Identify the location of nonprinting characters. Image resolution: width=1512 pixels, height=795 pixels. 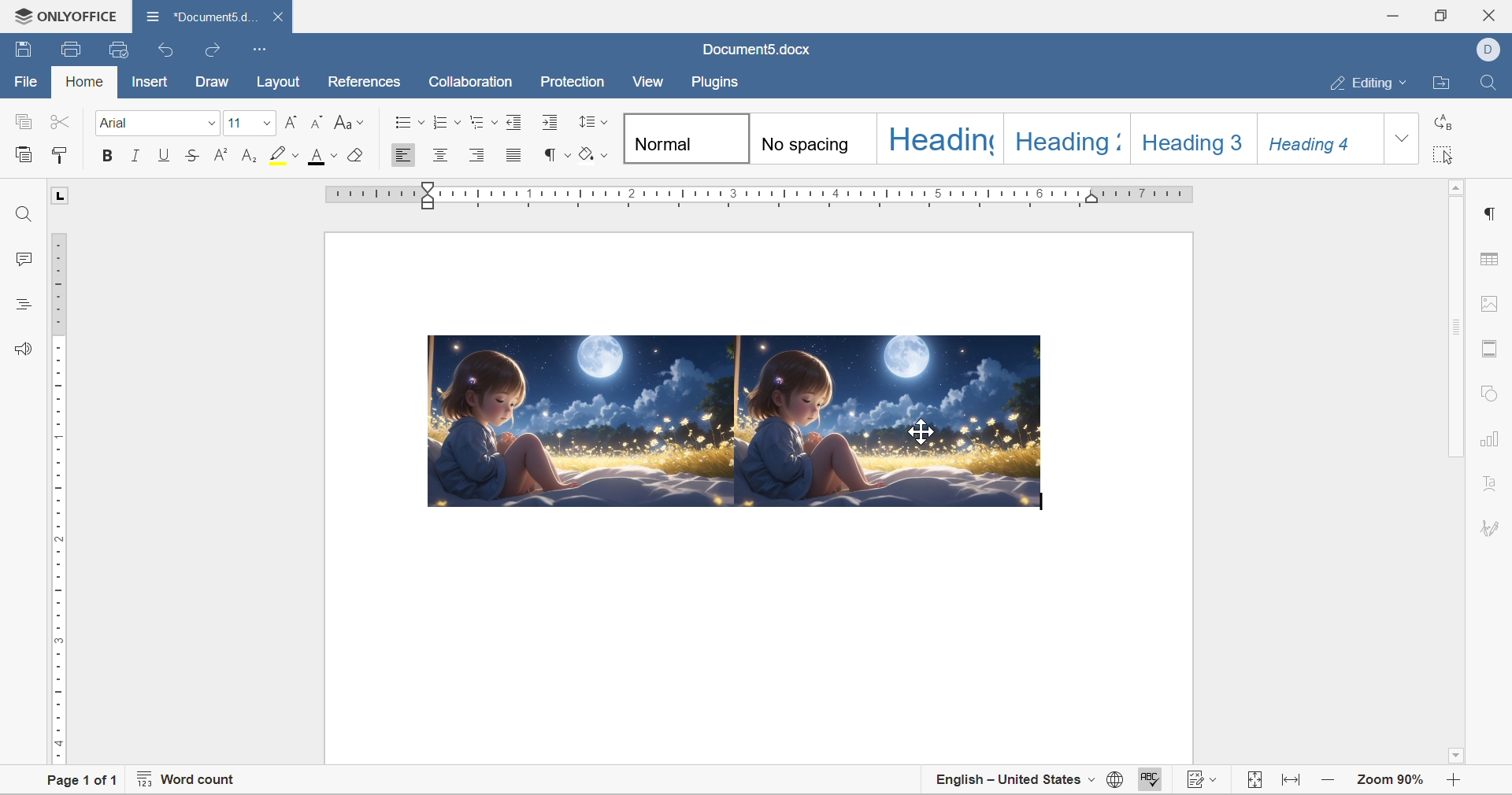
(556, 154).